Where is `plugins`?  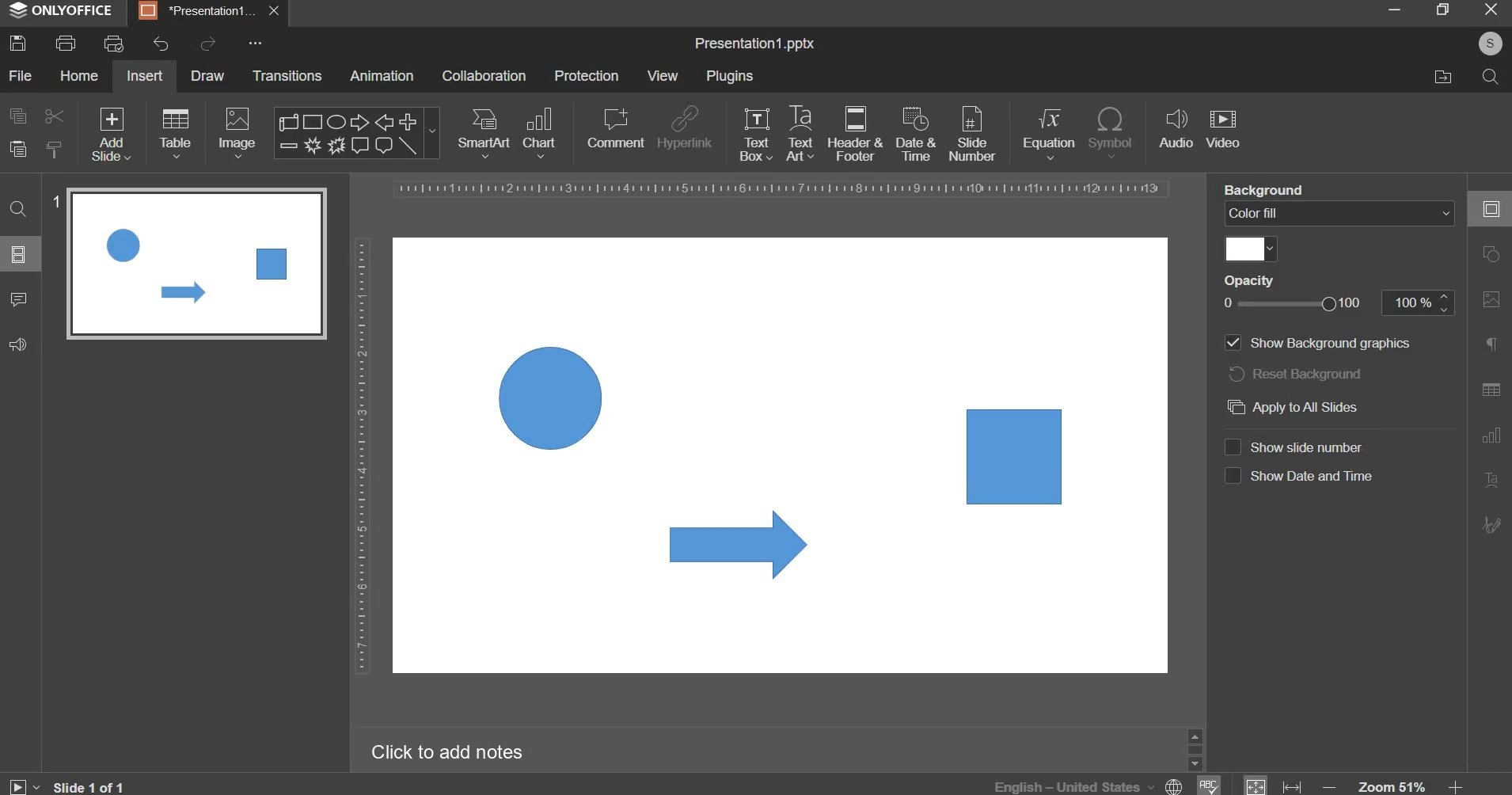 plugins is located at coordinates (729, 76).